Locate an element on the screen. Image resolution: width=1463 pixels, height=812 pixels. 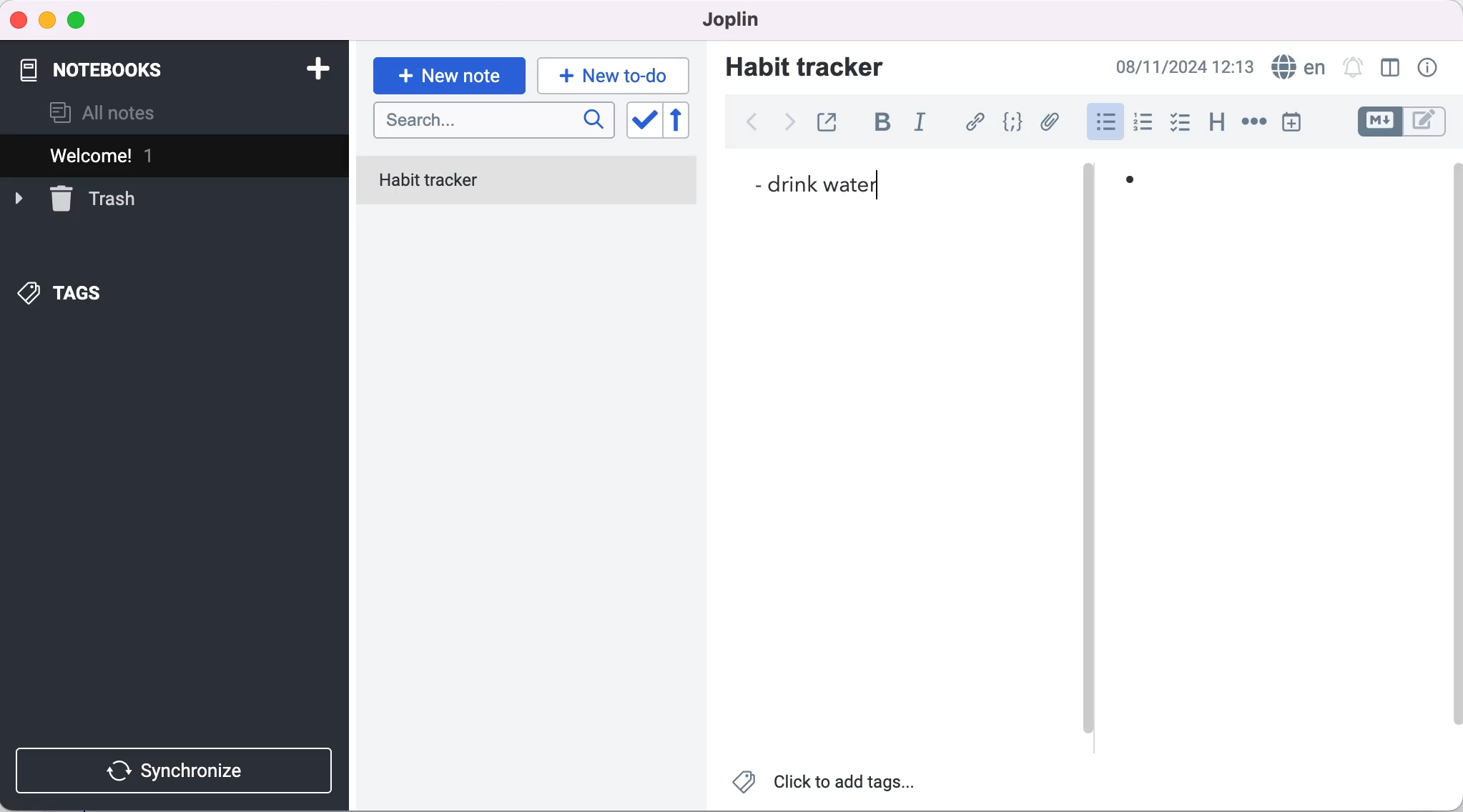
new note is located at coordinates (448, 76).